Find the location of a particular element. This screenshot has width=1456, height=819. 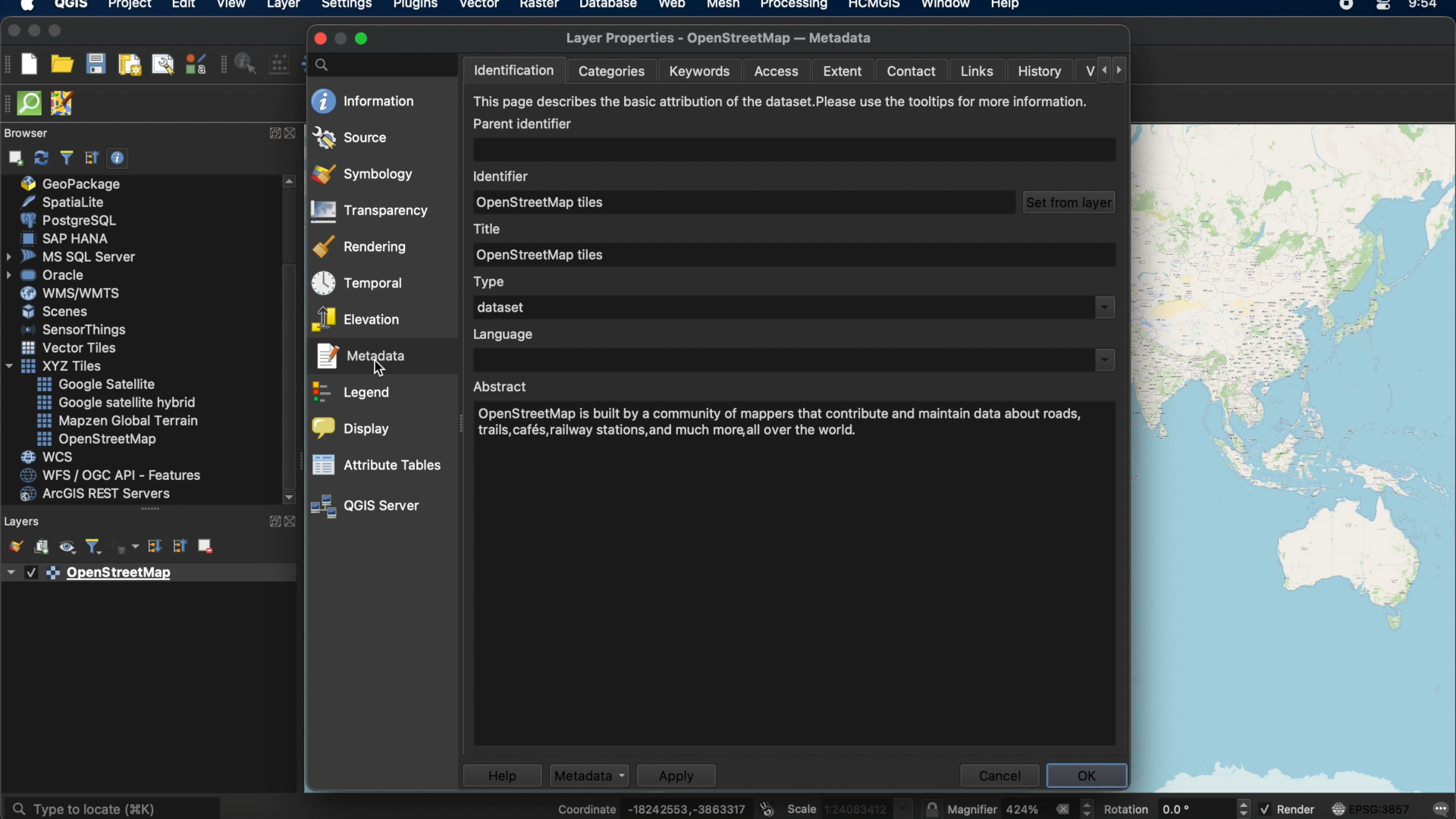

filter legend by expression is located at coordinates (127, 548).